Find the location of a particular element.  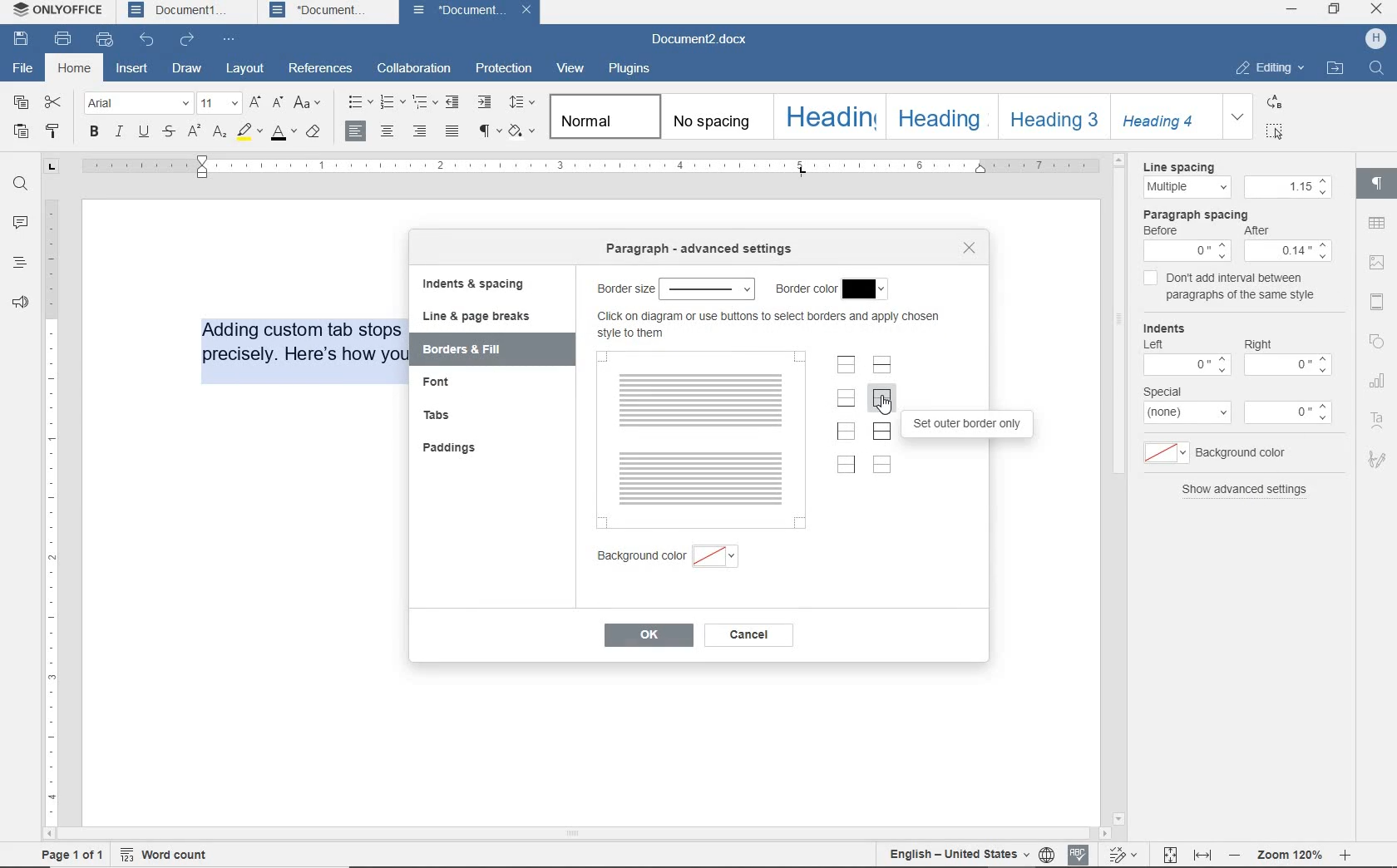

layout is located at coordinates (248, 68).